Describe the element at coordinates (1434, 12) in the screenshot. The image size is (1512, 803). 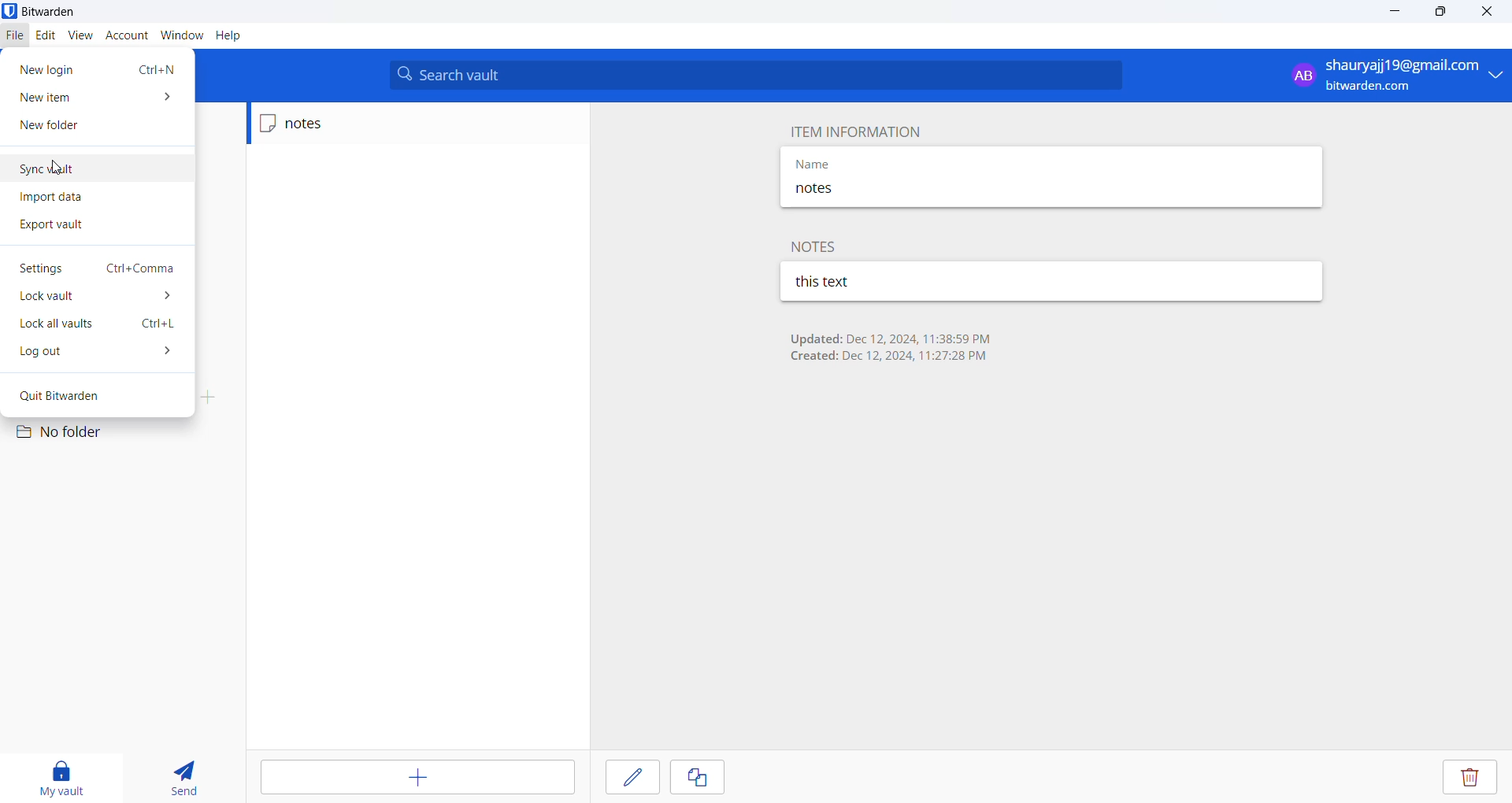
I see `maximize` at that location.